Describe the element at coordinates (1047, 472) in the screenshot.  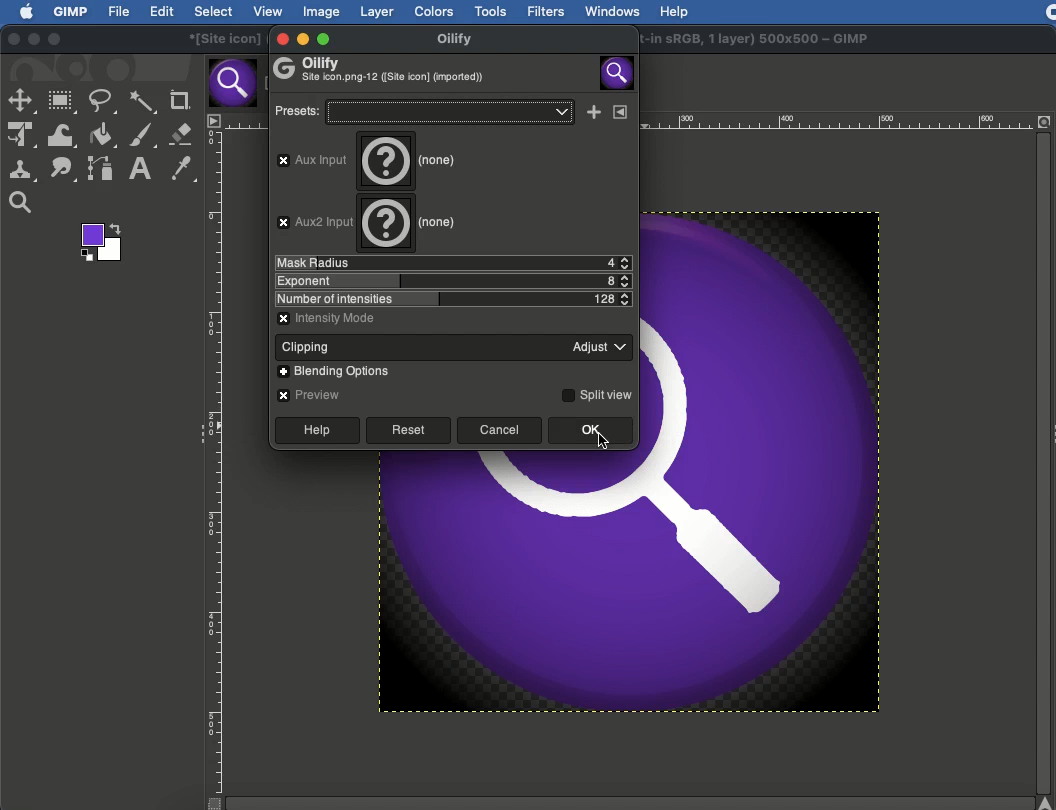
I see `Scroll` at that location.